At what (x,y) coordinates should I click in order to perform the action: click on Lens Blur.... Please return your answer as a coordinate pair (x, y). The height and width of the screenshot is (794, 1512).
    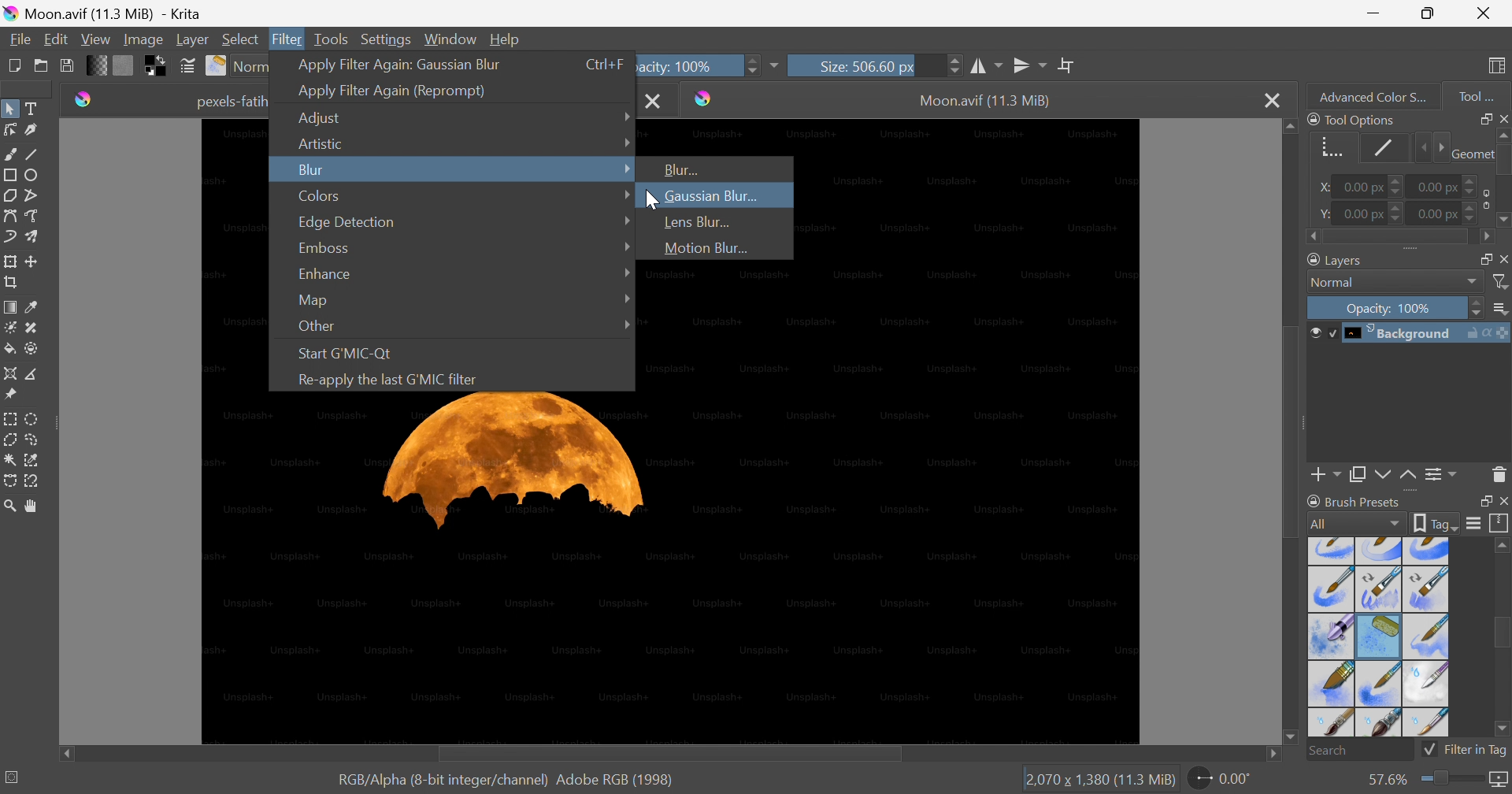
    Looking at the image, I should click on (699, 221).